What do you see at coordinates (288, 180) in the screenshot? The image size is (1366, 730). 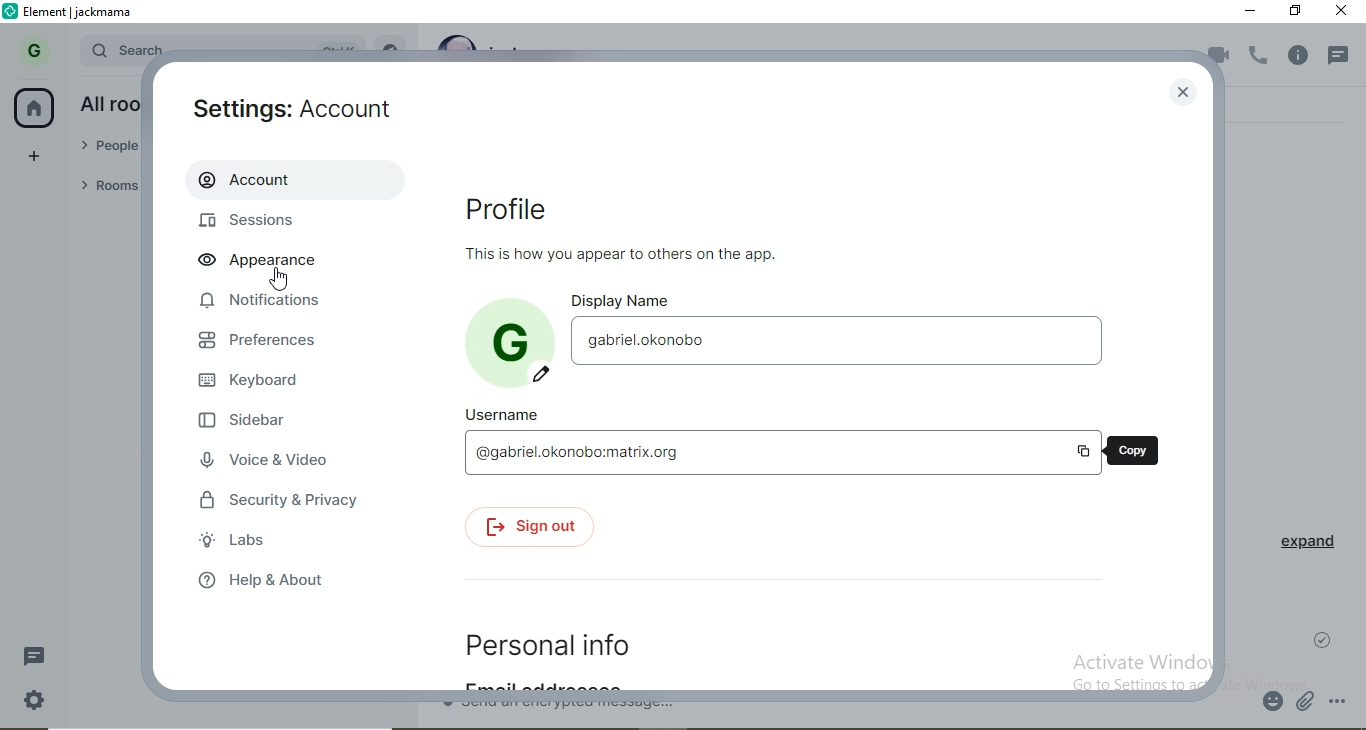 I see `account` at bounding box center [288, 180].